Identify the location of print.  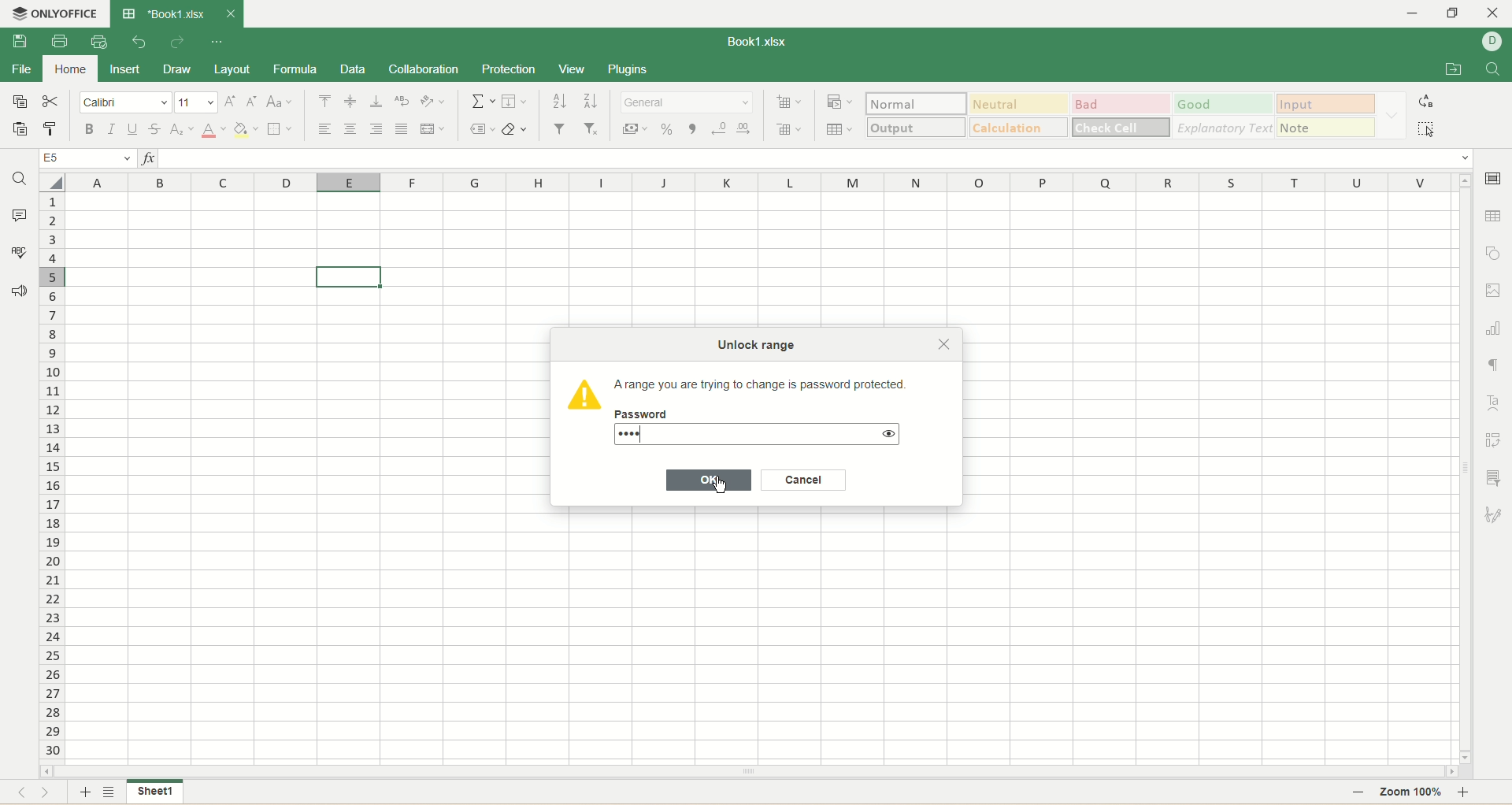
(61, 43).